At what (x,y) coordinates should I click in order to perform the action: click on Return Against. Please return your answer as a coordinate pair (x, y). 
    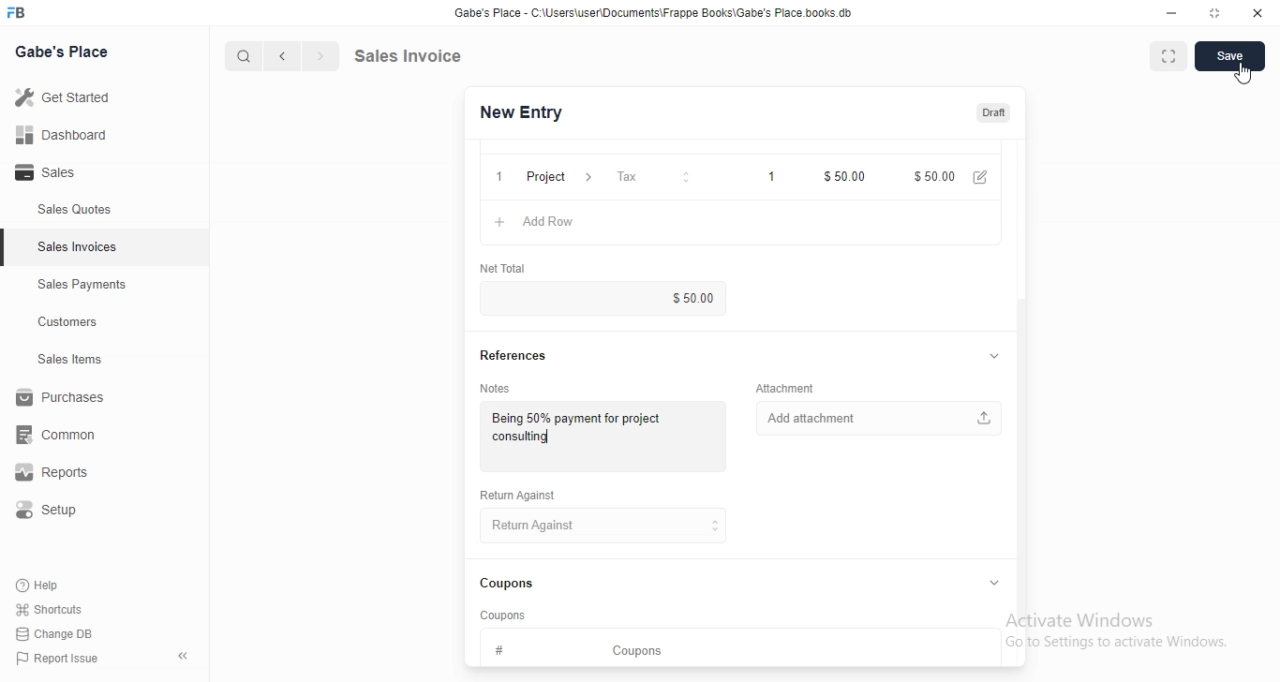
    Looking at the image, I should click on (523, 495).